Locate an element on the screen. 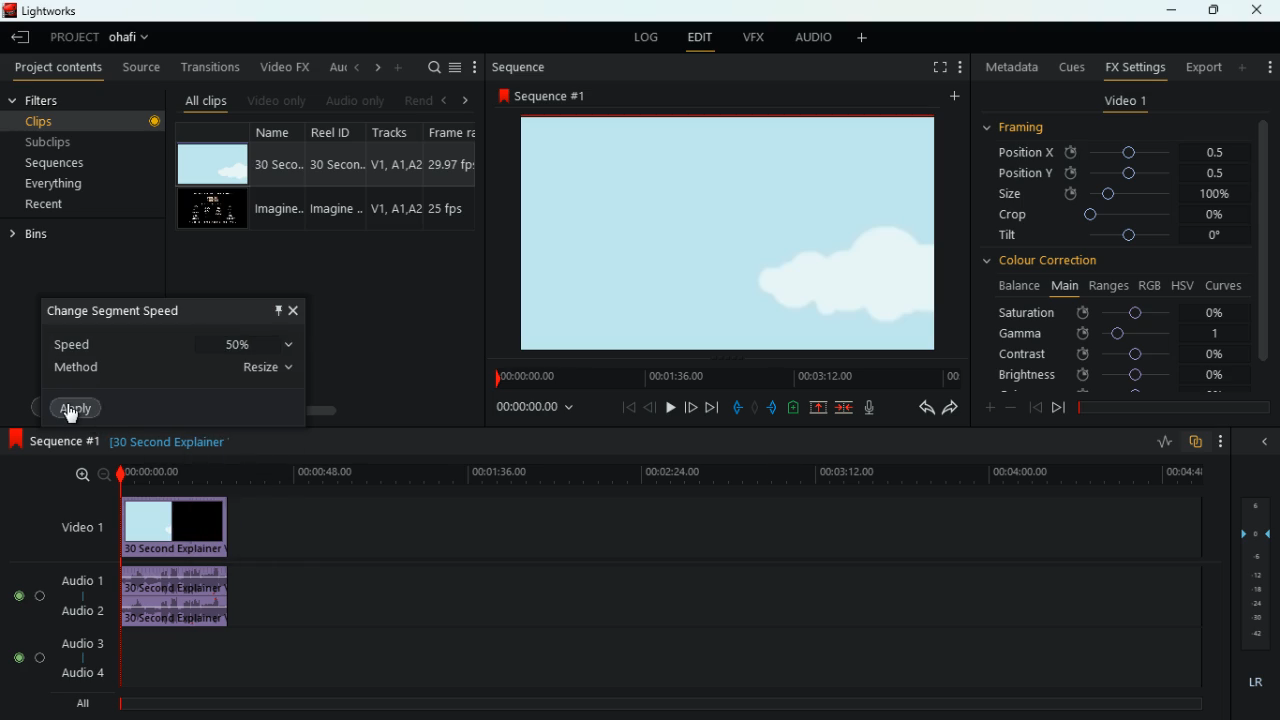  framing is located at coordinates (1026, 129).